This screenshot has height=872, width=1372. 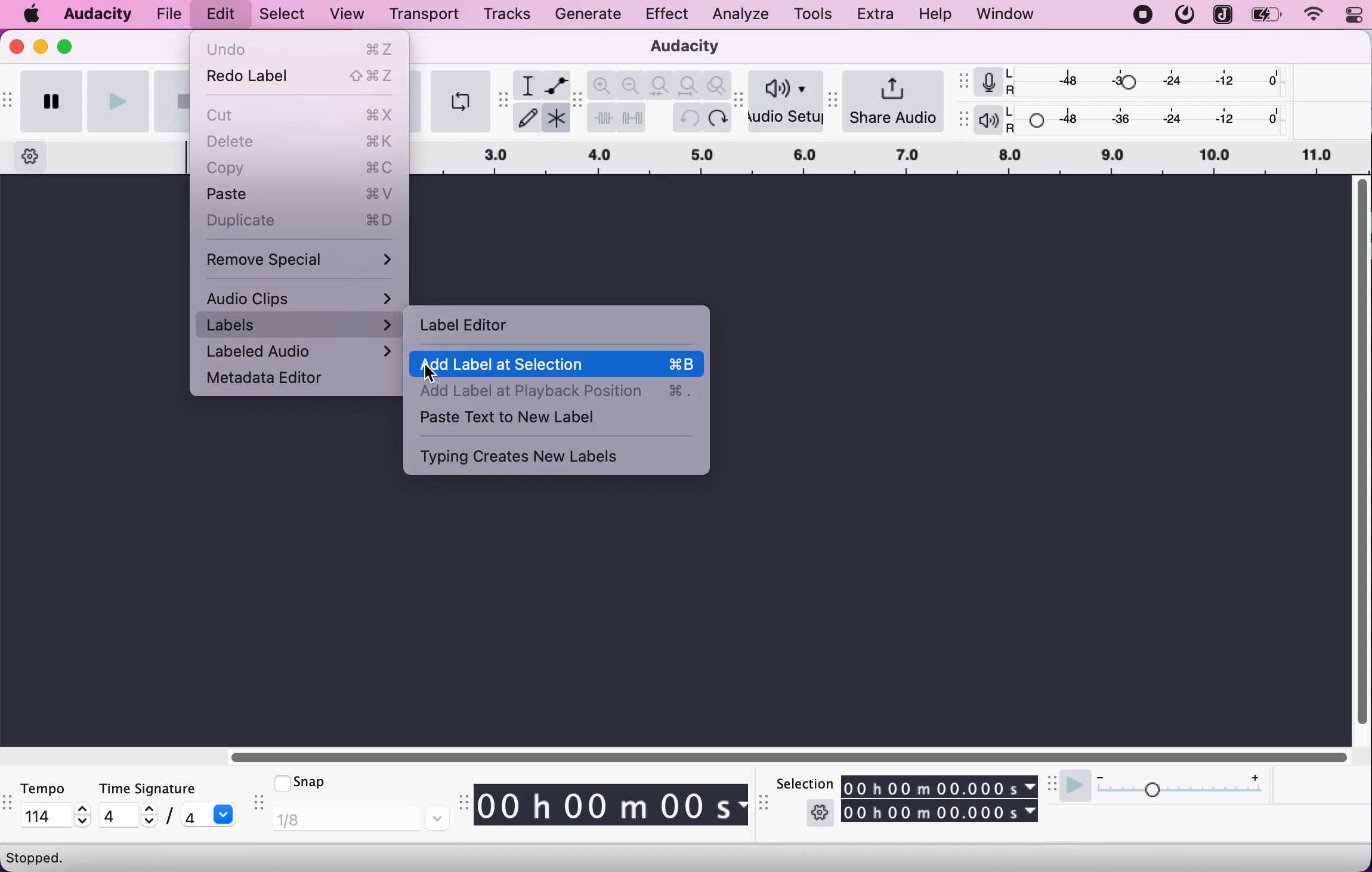 I want to click on audacity selection toolbar, so click(x=766, y=808).